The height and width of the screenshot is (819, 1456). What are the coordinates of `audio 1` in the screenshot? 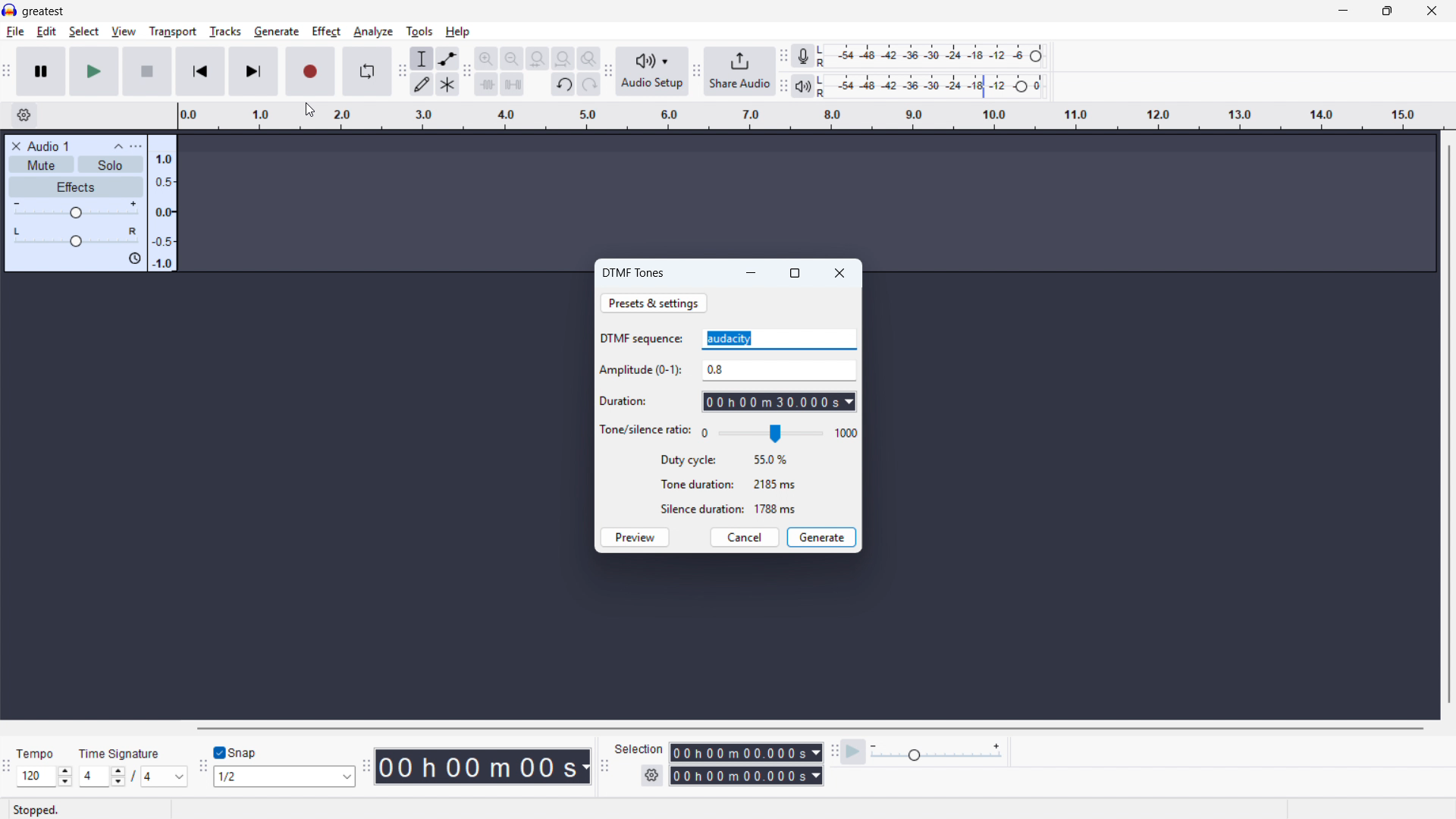 It's located at (49, 146).